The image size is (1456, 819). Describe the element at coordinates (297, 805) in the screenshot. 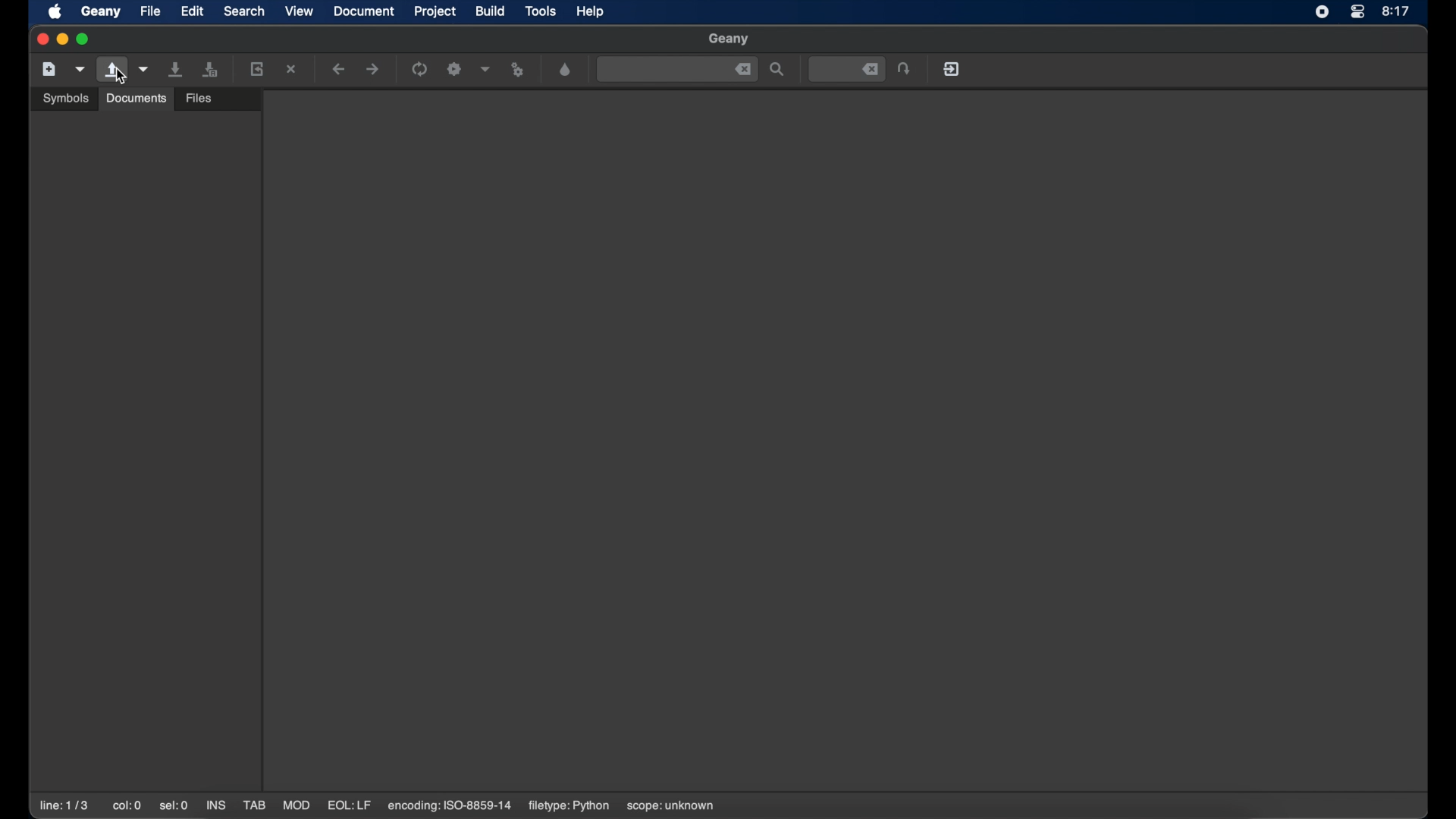

I see `mod` at that location.